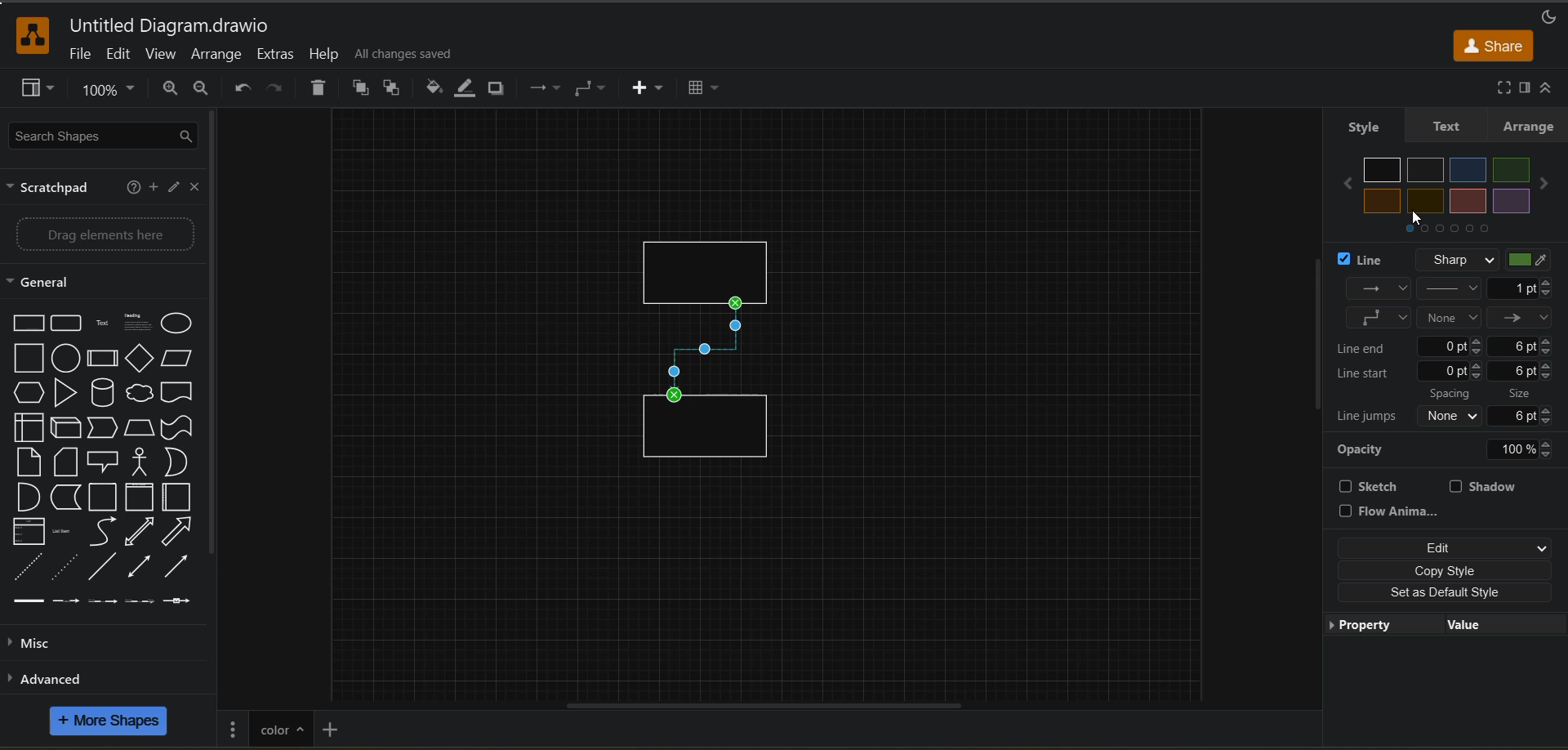 Image resolution: width=1568 pixels, height=750 pixels. I want to click on more shapes, so click(111, 723).